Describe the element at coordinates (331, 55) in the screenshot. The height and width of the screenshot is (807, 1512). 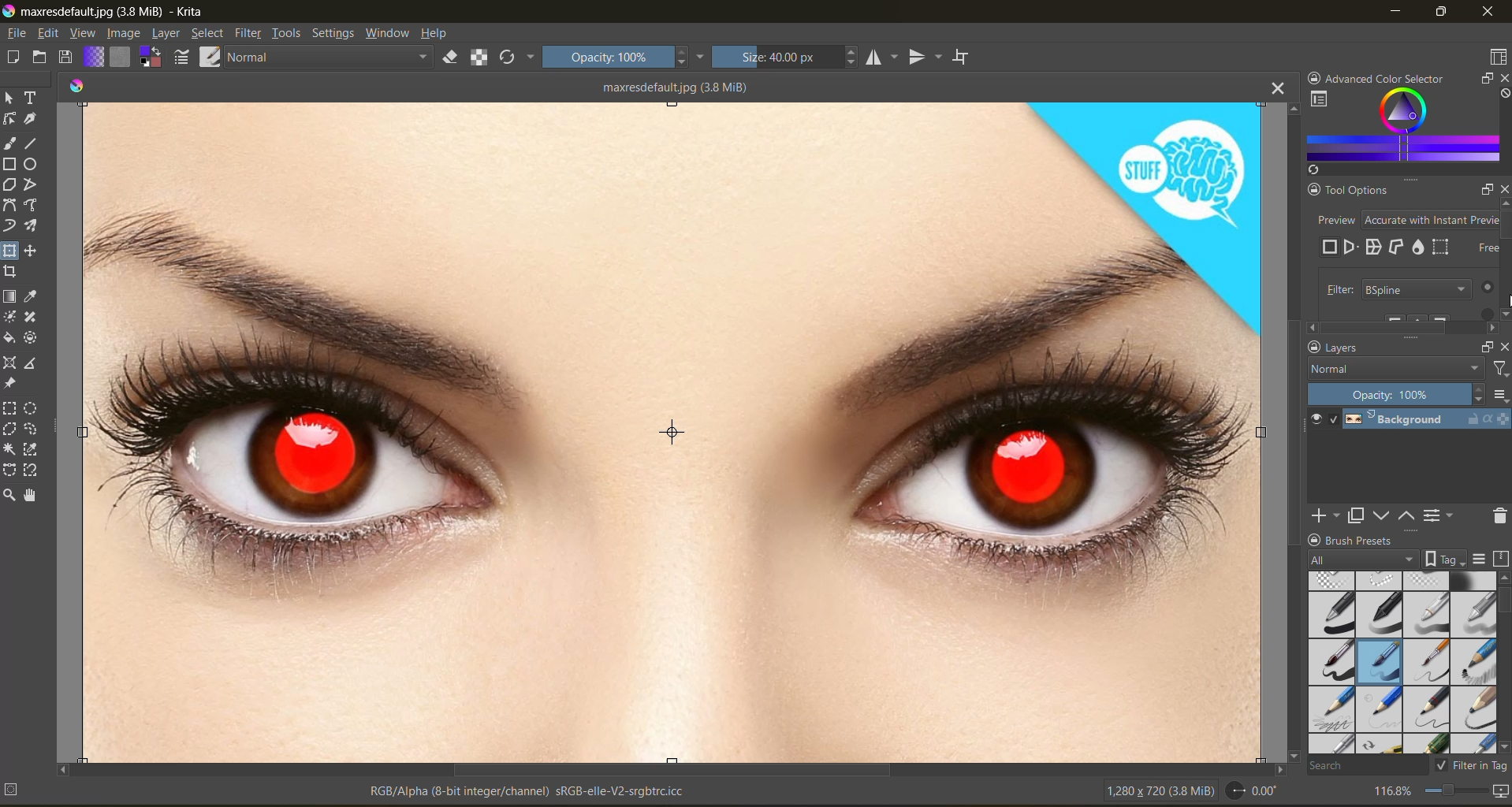
I see `normal` at that location.